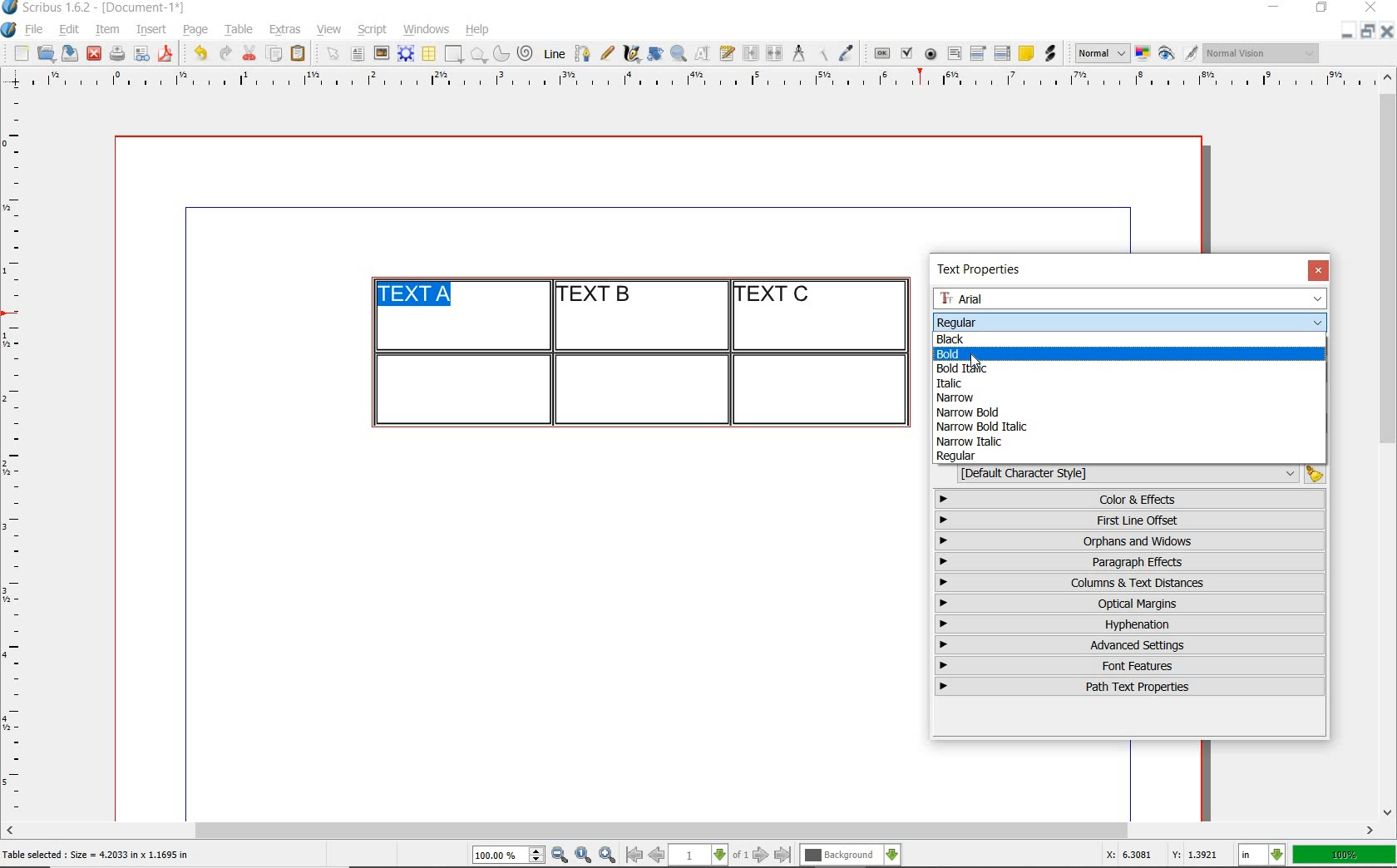 The height and width of the screenshot is (868, 1397). I want to click on X: 6.3081 Y: 1.3921, so click(1165, 855).